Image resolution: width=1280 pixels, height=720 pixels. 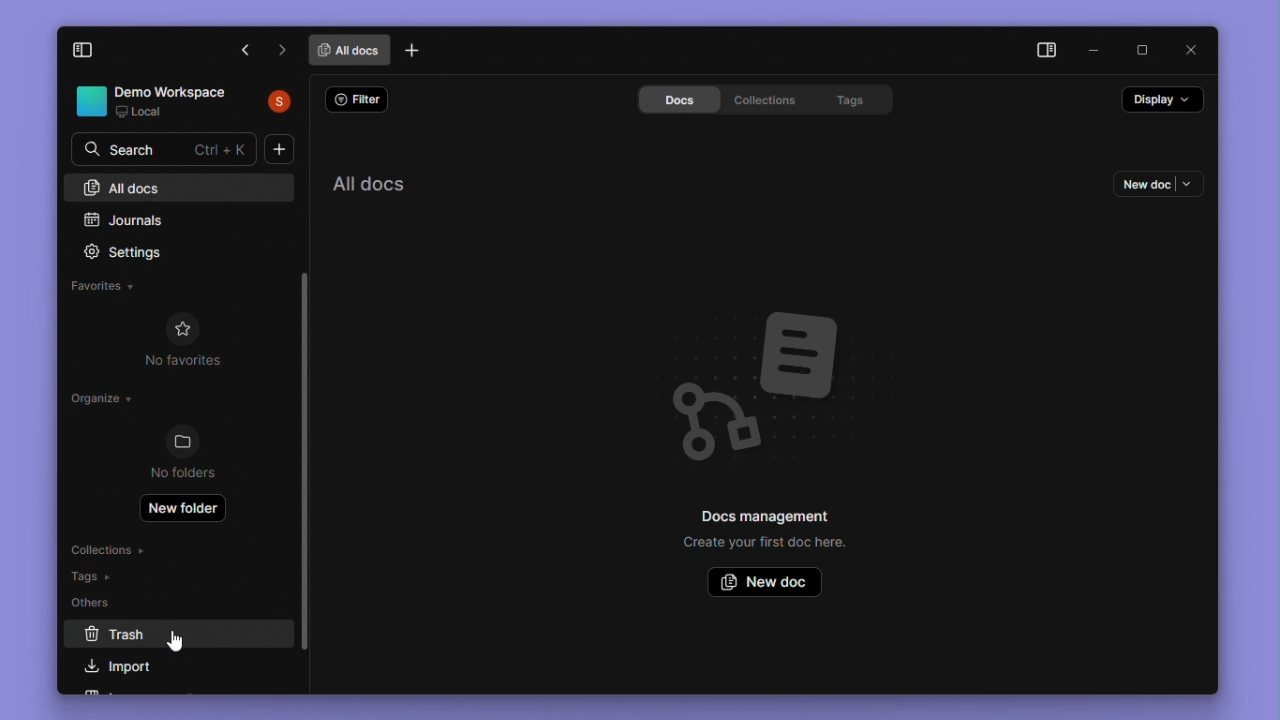 What do you see at coordinates (1155, 182) in the screenshot?
I see `New doc` at bounding box center [1155, 182].